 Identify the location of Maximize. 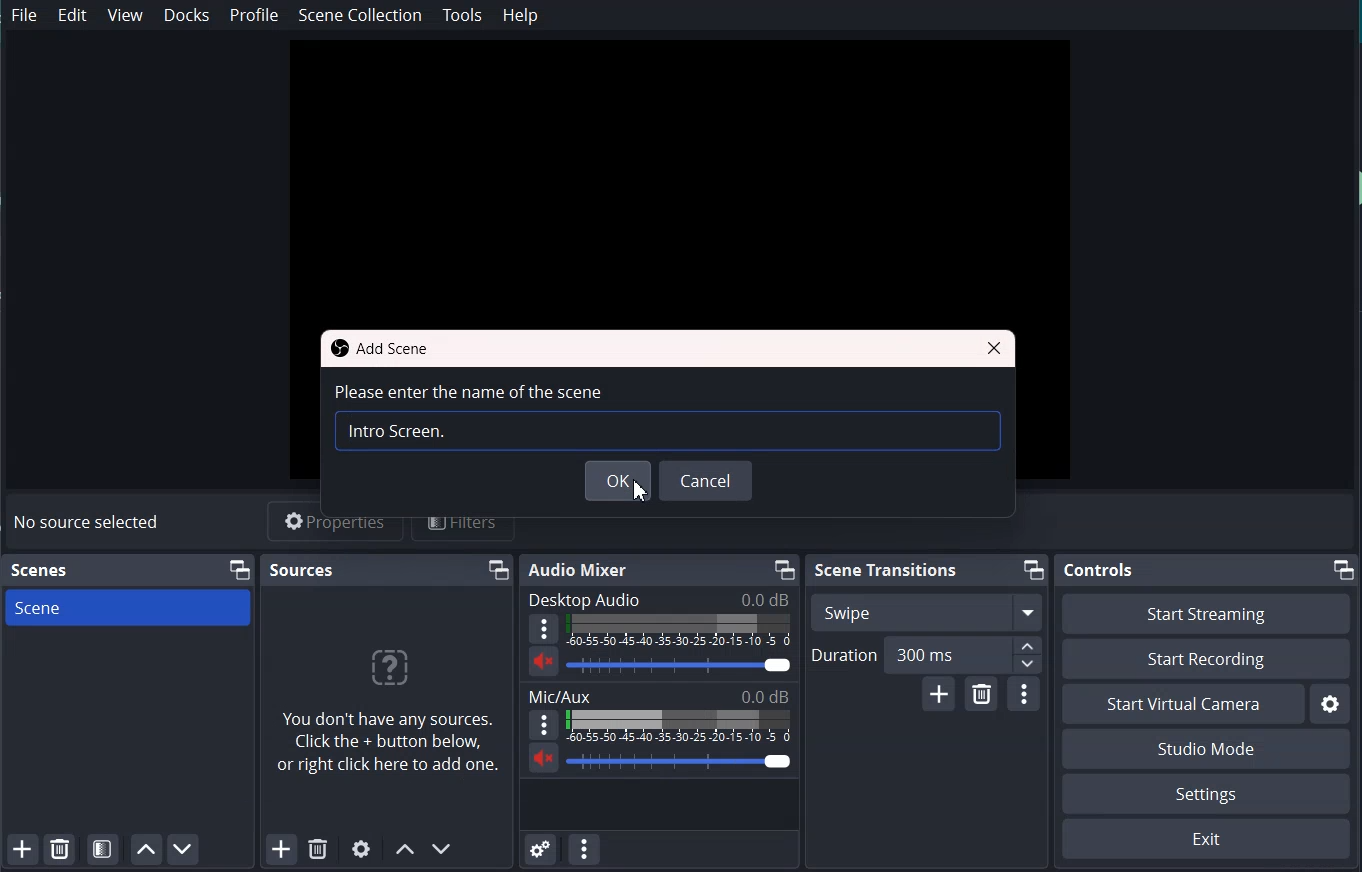
(1032, 570).